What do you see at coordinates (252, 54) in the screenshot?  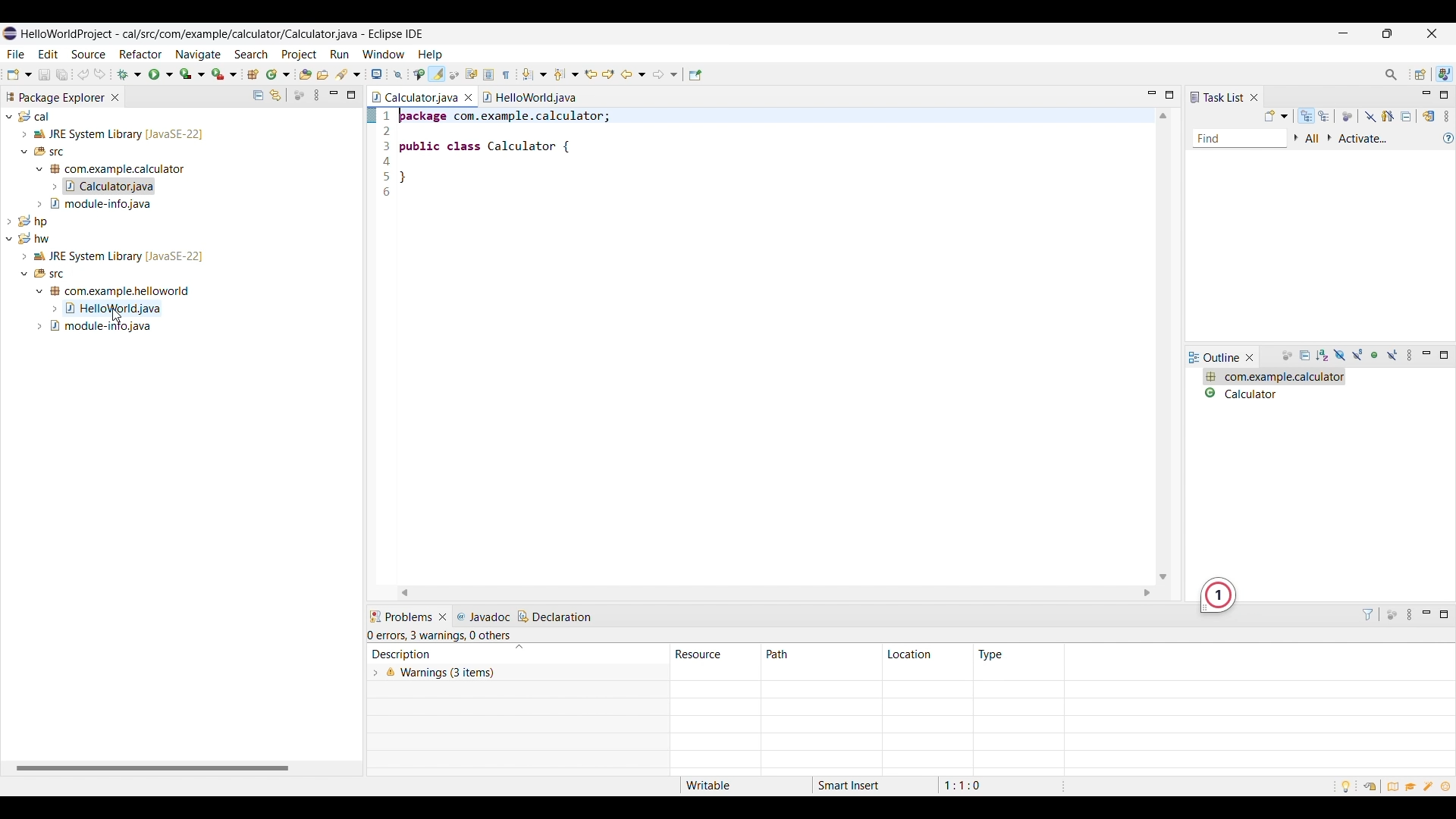 I see `Search` at bounding box center [252, 54].